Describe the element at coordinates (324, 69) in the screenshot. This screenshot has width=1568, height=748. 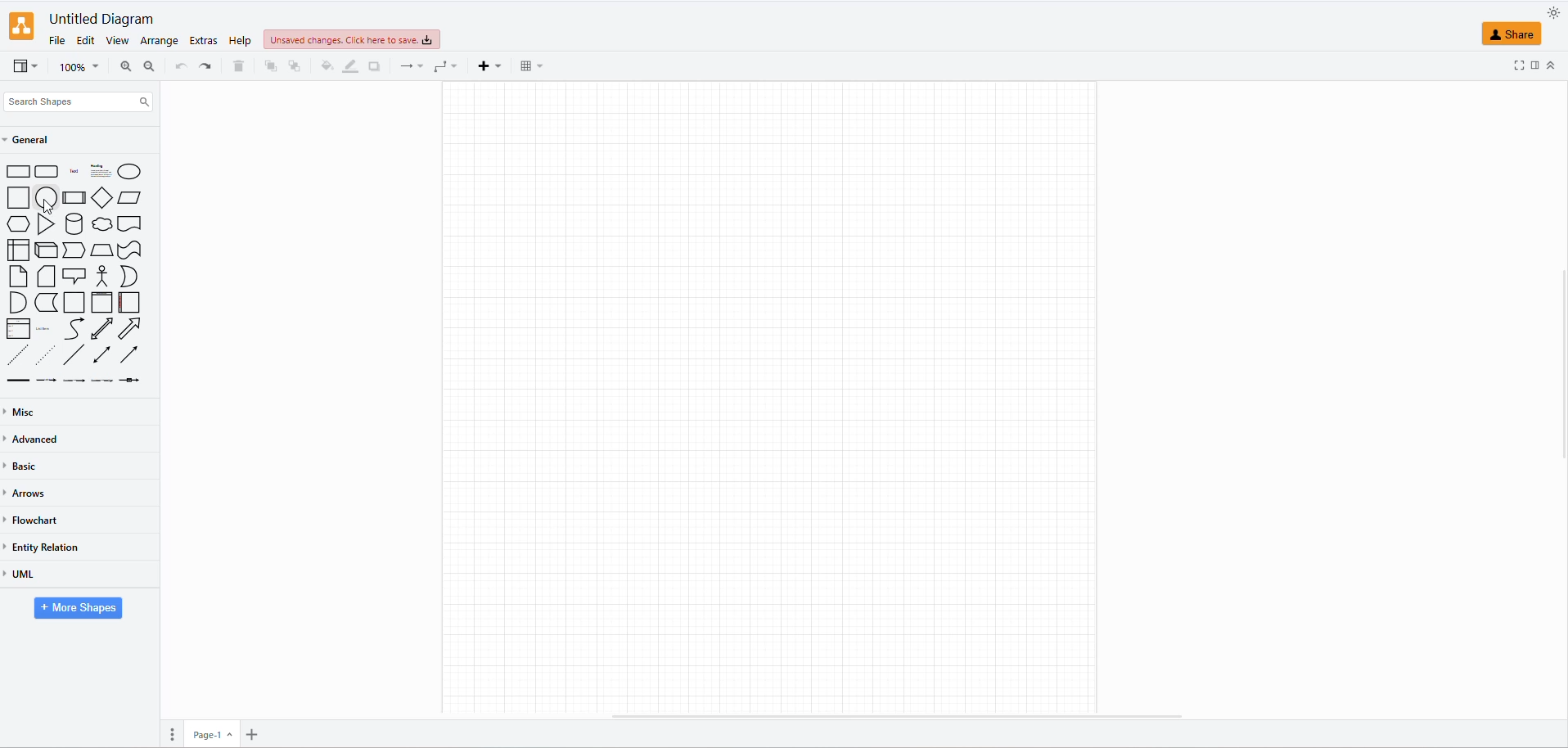
I see `FILL COLOR` at that location.